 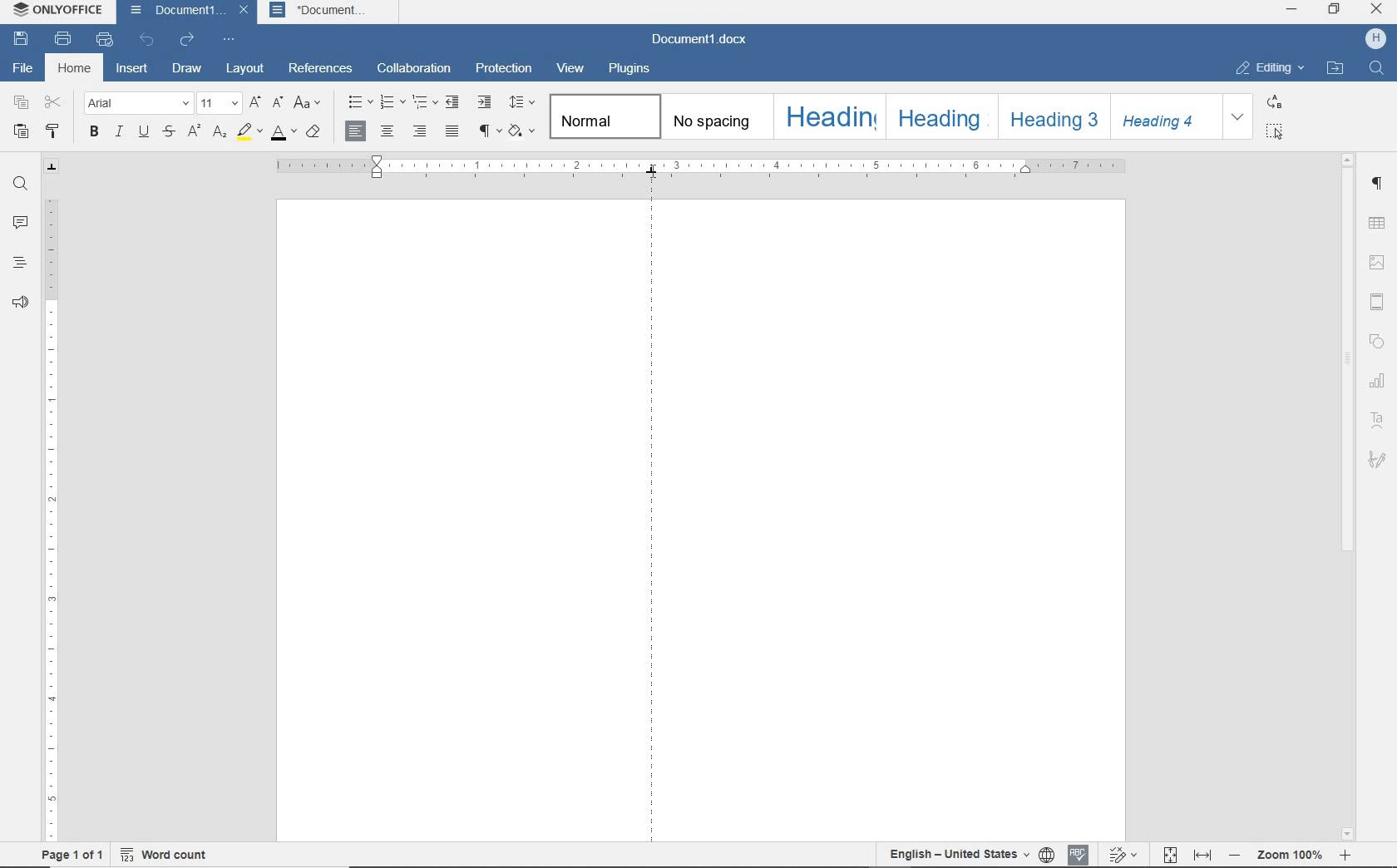 What do you see at coordinates (22, 102) in the screenshot?
I see `COPY` at bounding box center [22, 102].